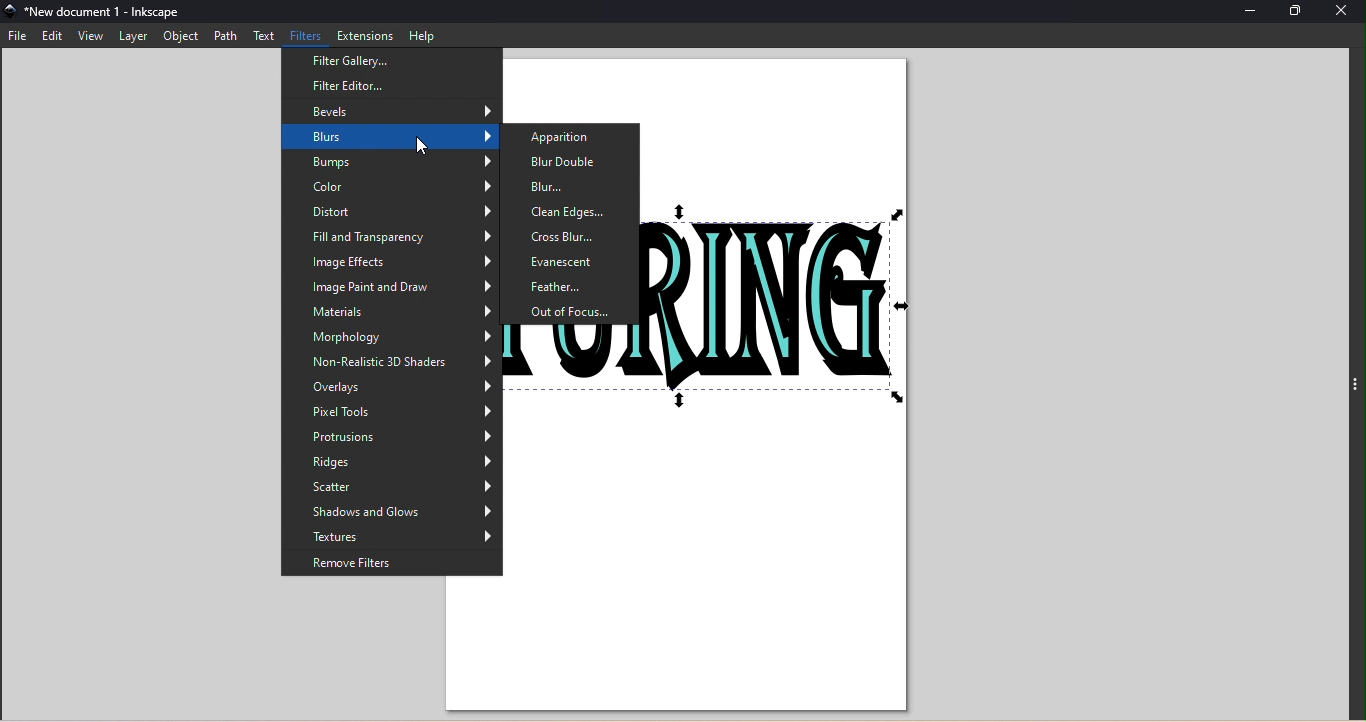 This screenshot has height=722, width=1366. I want to click on Textures, so click(390, 540).